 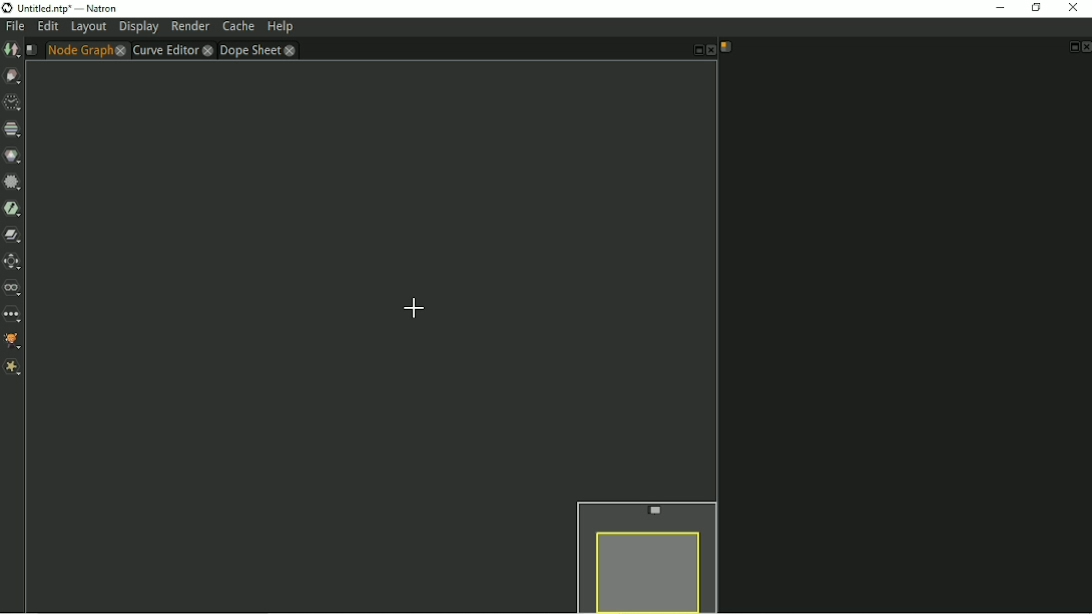 What do you see at coordinates (139, 28) in the screenshot?
I see `Display` at bounding box center [139, 28].